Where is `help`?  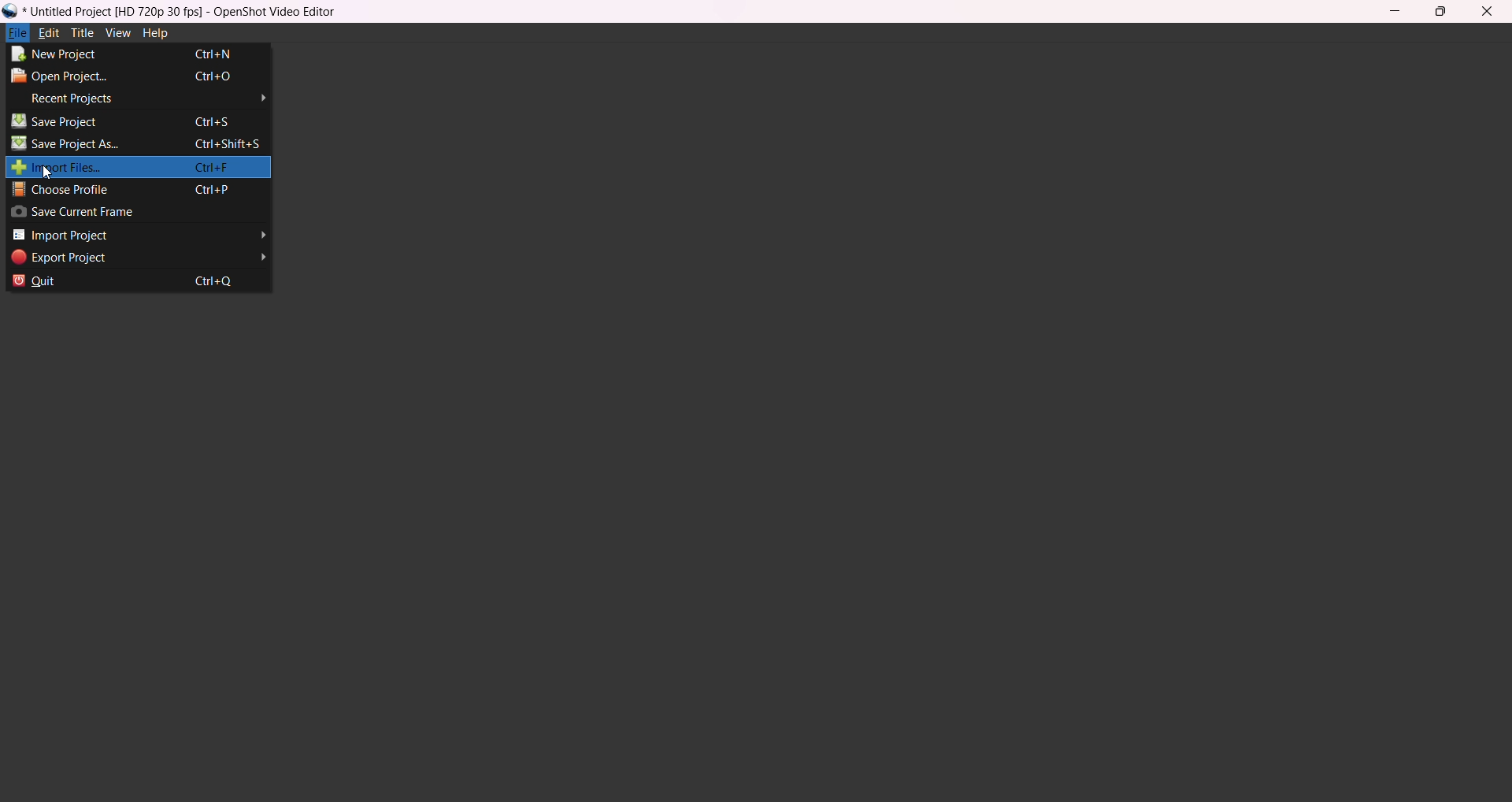
help is located at coordinates (155, 35).